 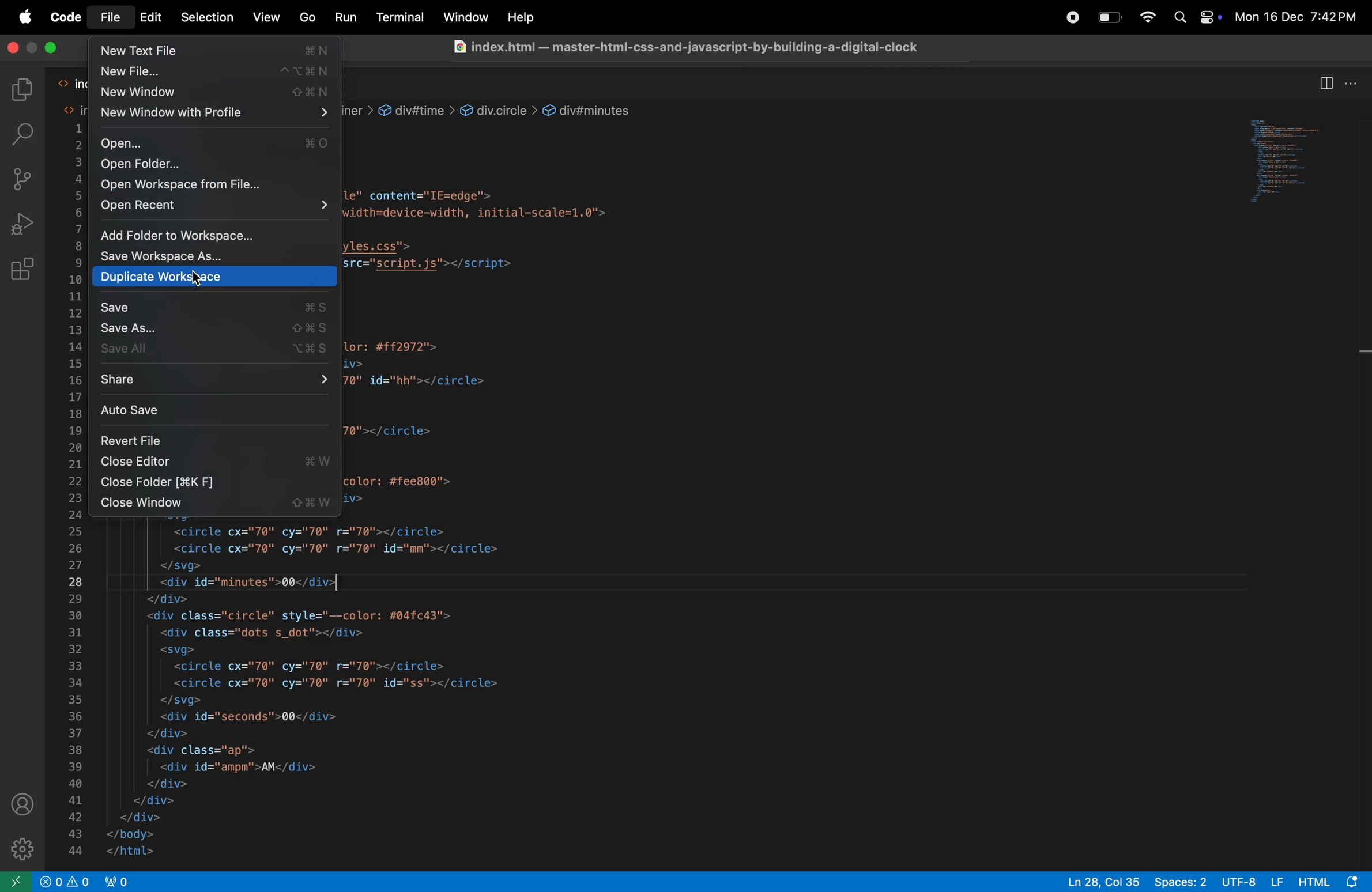 I want to click on save as, so click(x=216, y=328).